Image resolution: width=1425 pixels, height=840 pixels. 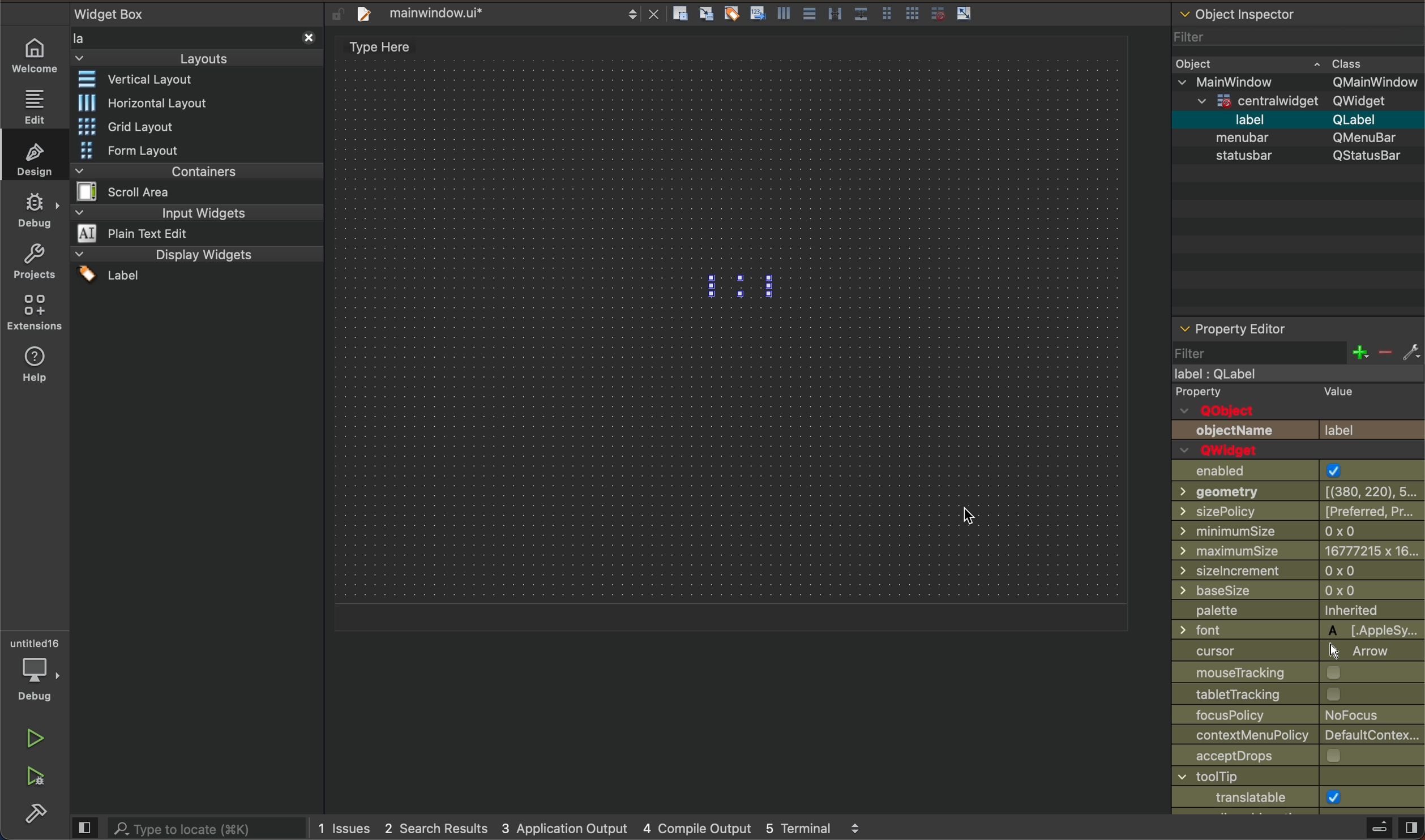 What do you see at coordinates (1299, 696) in the screenshot?
I see `tablet` at bounding box center [1299, 696].